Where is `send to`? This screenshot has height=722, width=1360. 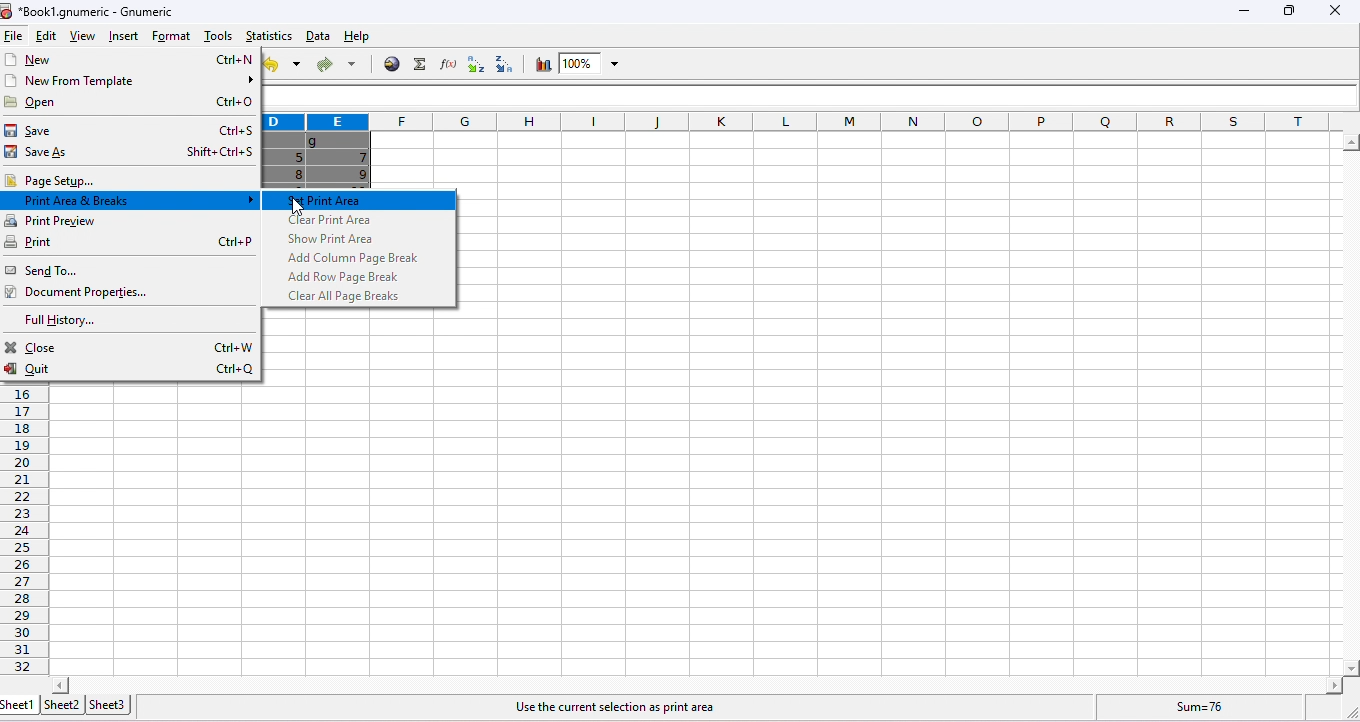 send to is located at coordinates (88, 270).